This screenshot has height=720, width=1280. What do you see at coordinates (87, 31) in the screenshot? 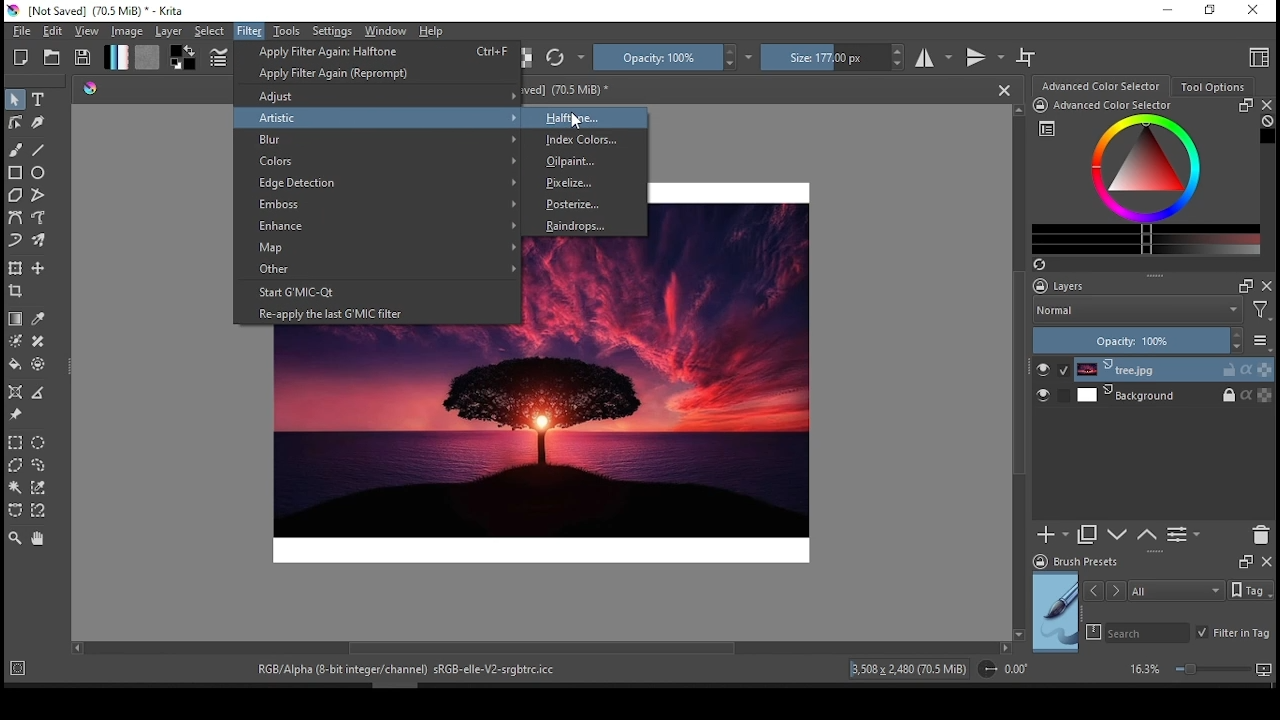
I see `view` at bounding box center [87, 31].